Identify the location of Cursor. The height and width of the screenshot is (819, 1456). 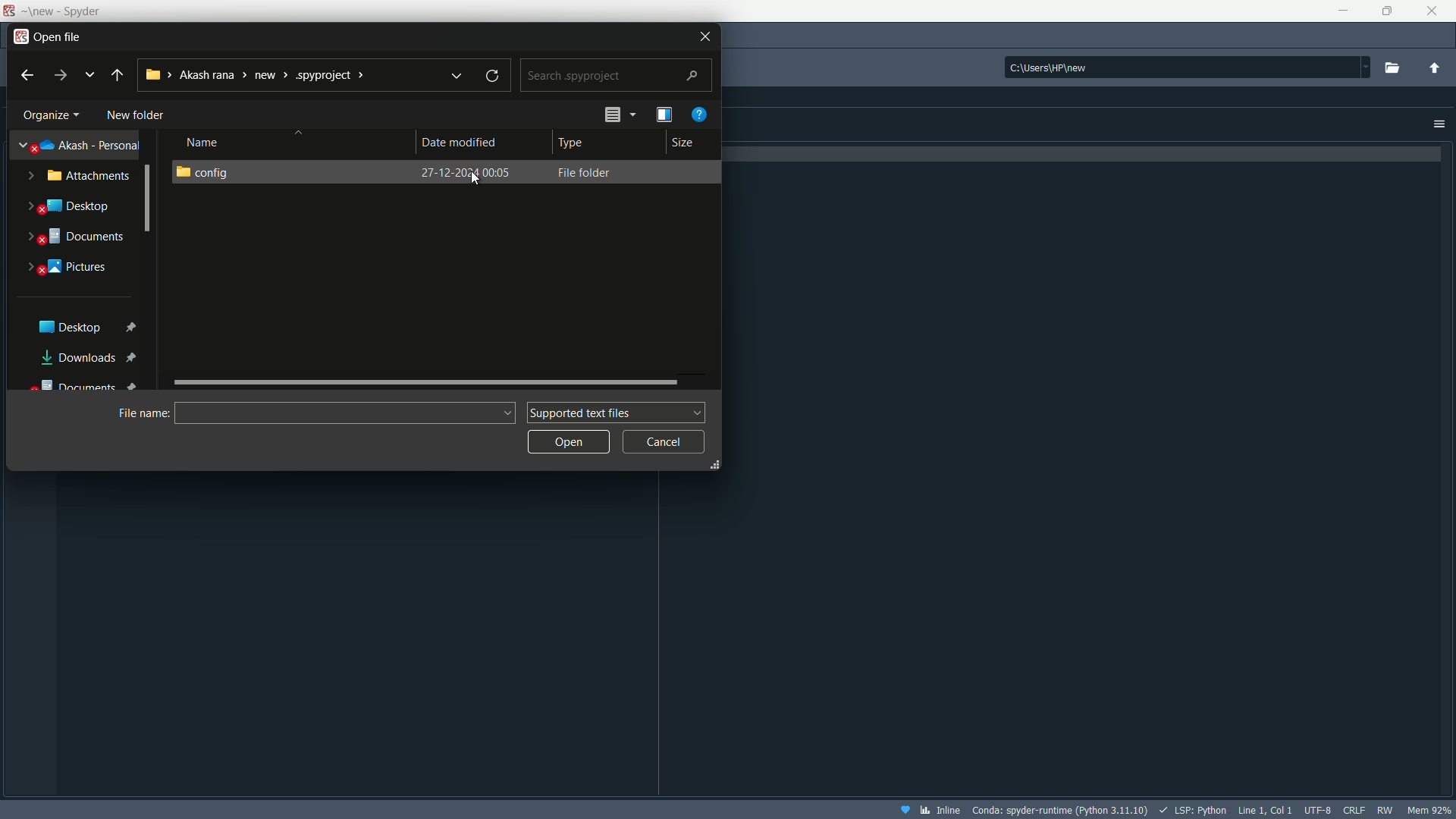
(479, 181).